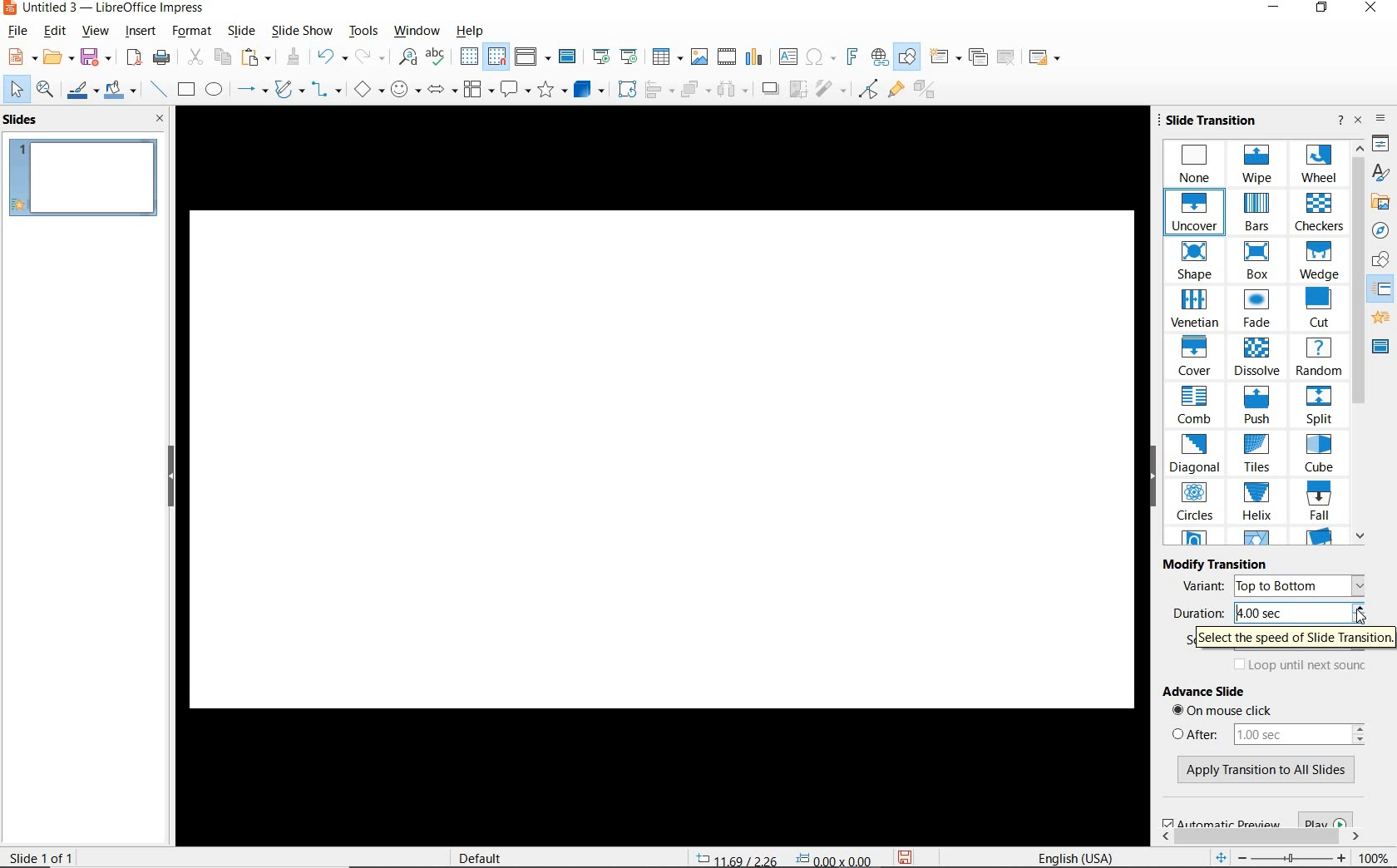 The height and width of the screenshot is (868, 1397). I want to click on FILL COLOR, so click(123, 89).